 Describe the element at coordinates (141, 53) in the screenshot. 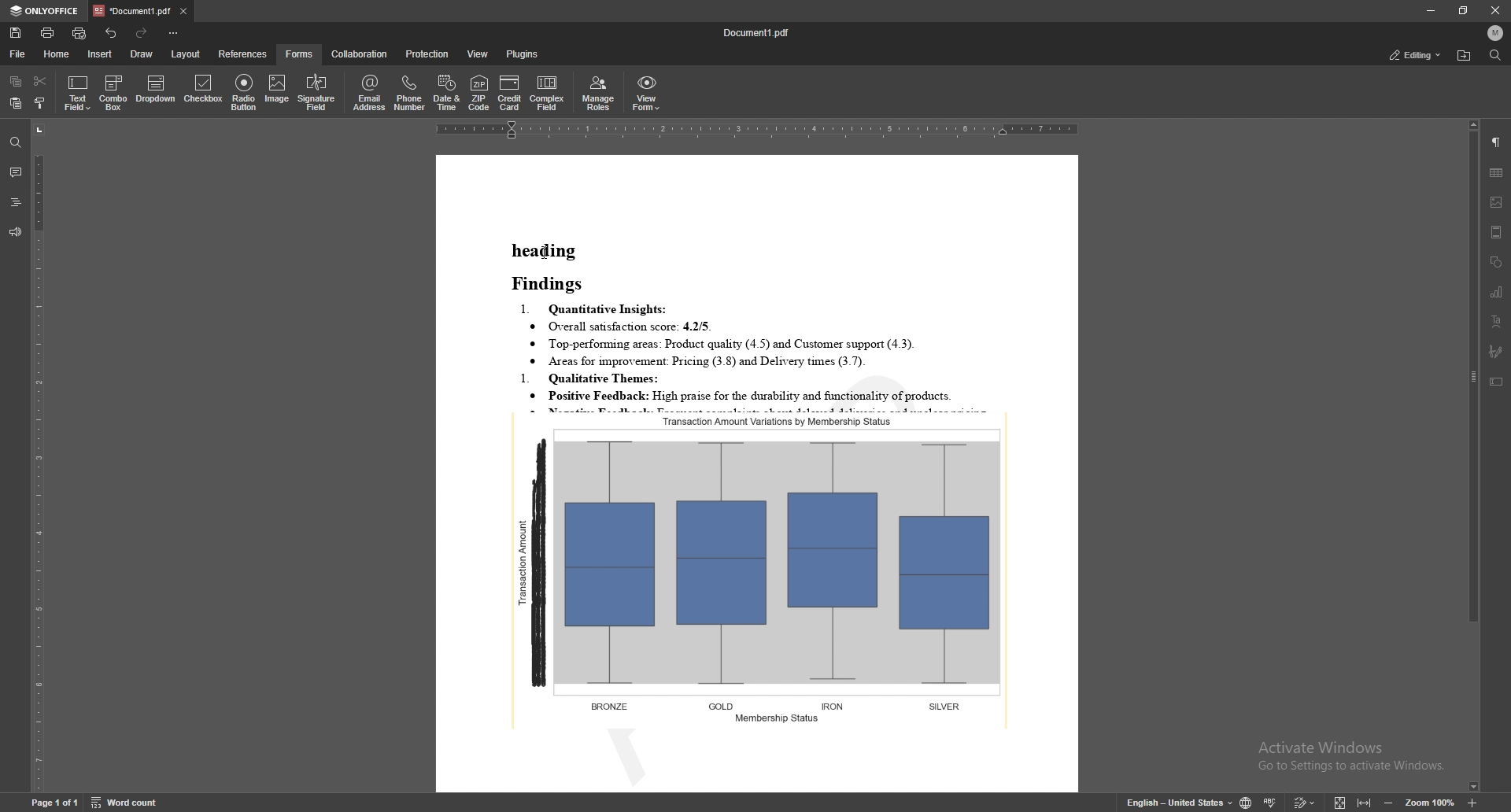

I see `draw` at that location.